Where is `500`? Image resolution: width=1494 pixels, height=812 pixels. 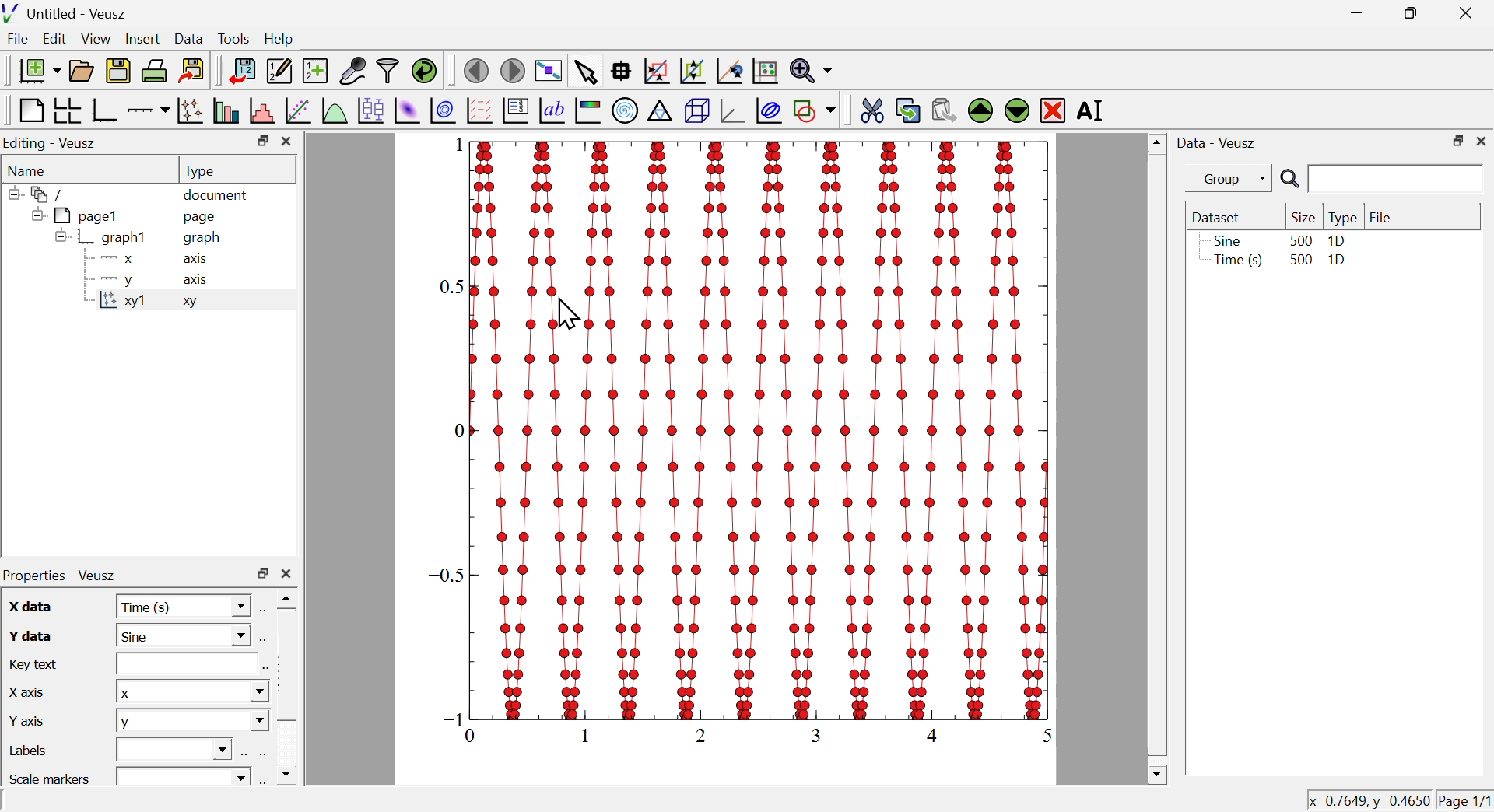
500 is located at coordinates (1300, 240).